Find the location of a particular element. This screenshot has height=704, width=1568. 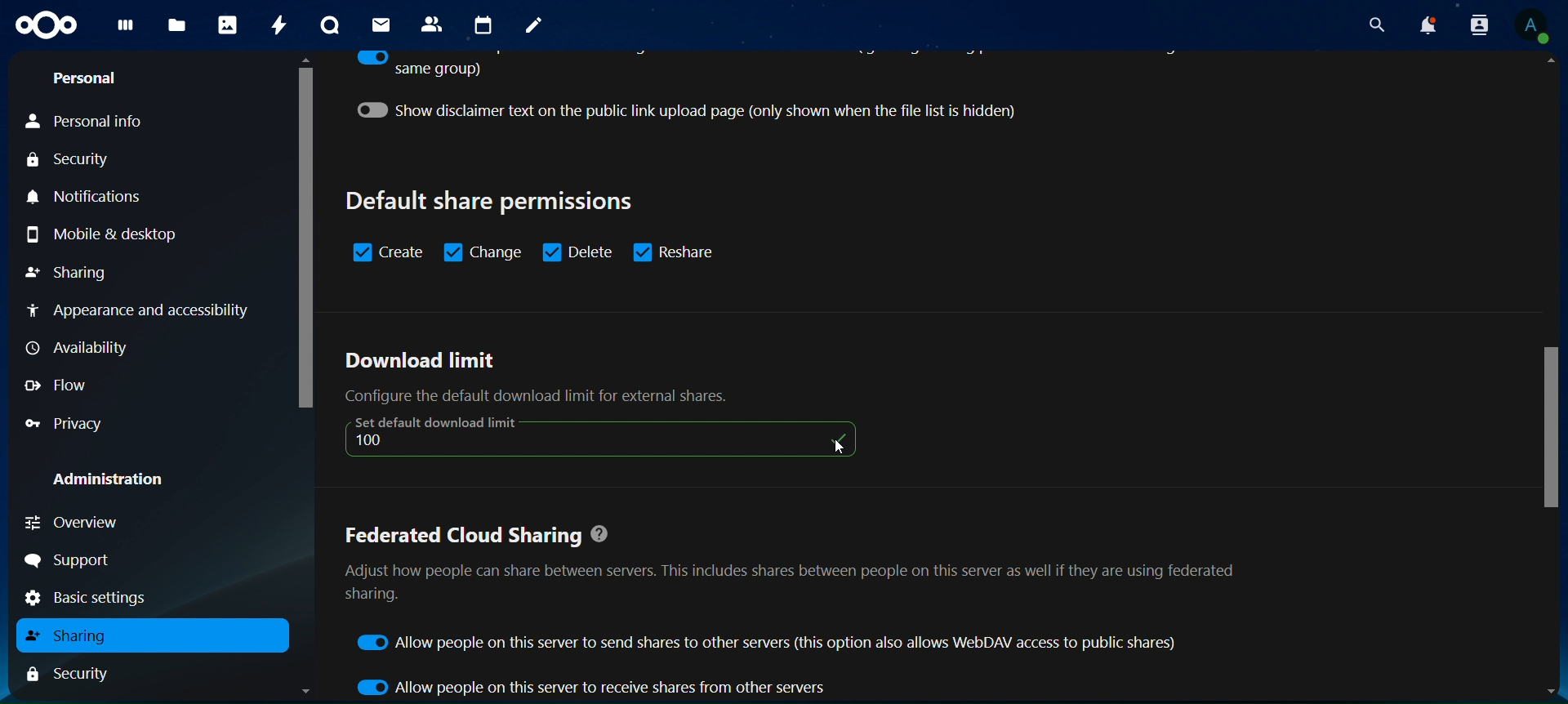

search contacts is located at coordinates (1478, 25).